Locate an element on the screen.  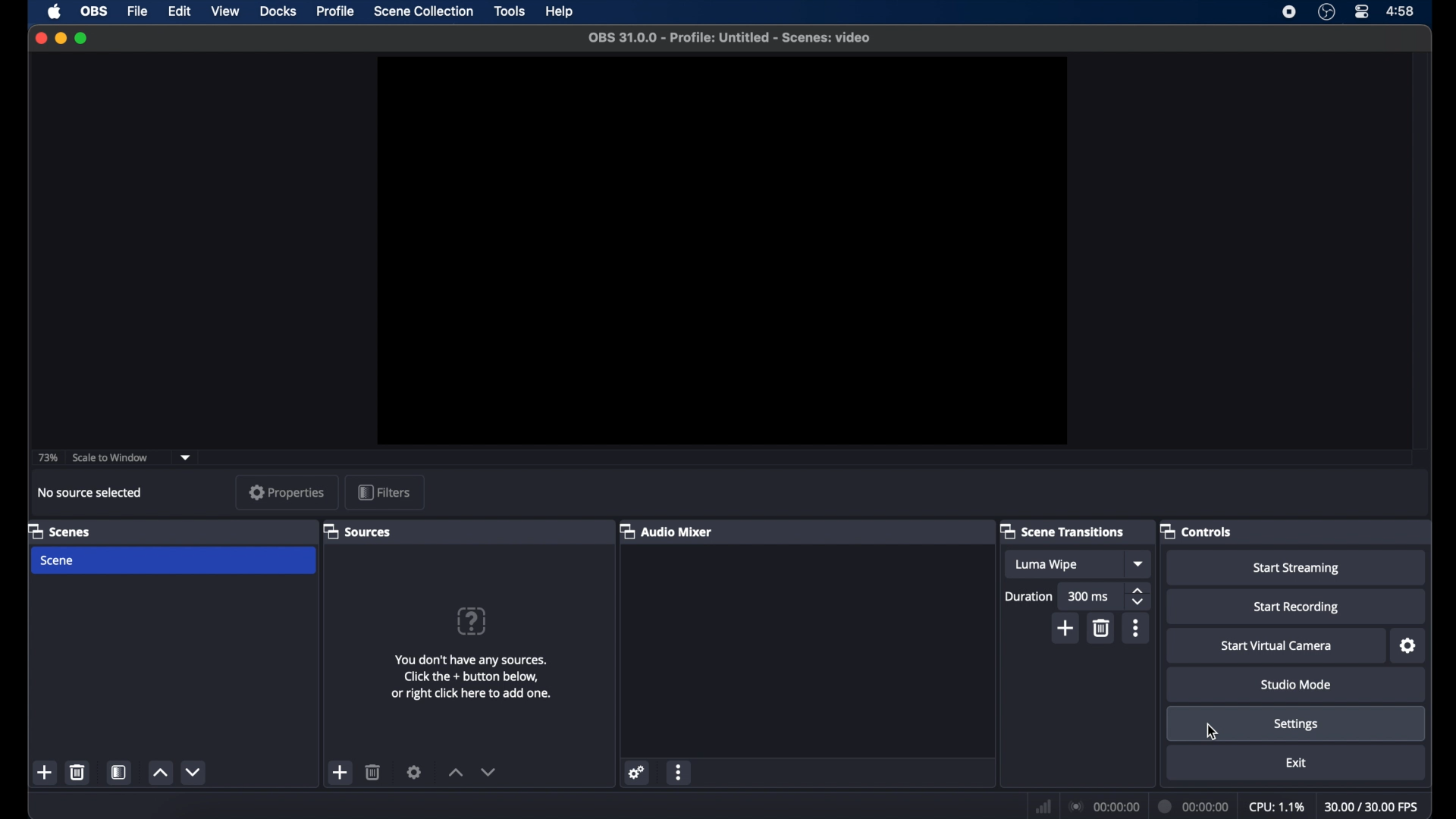
dropdown is located at coordinates (186, 457).